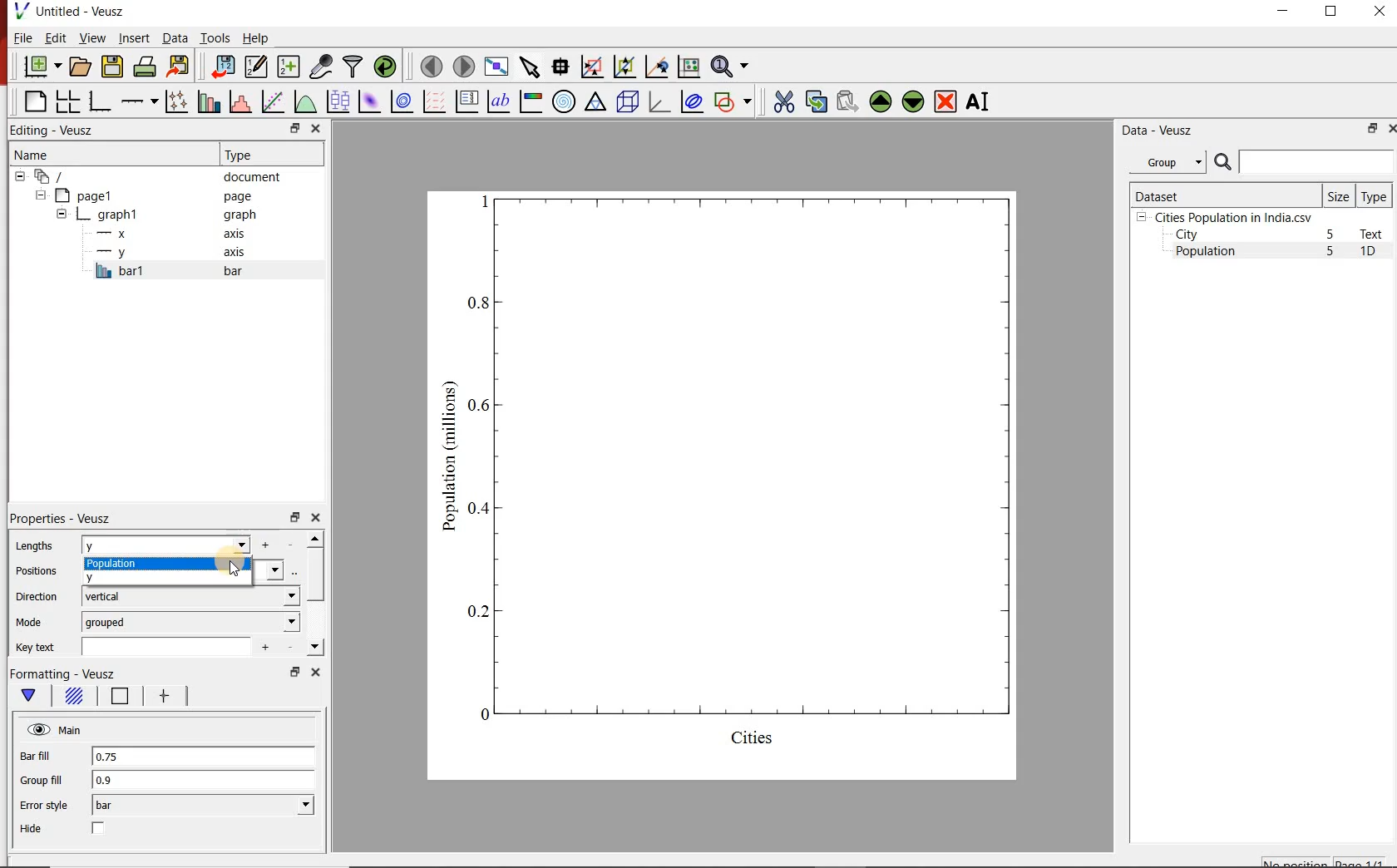 This screenshot has height=868, width=1397. I want to click on Add an axis to the plot, so click(139, 99).